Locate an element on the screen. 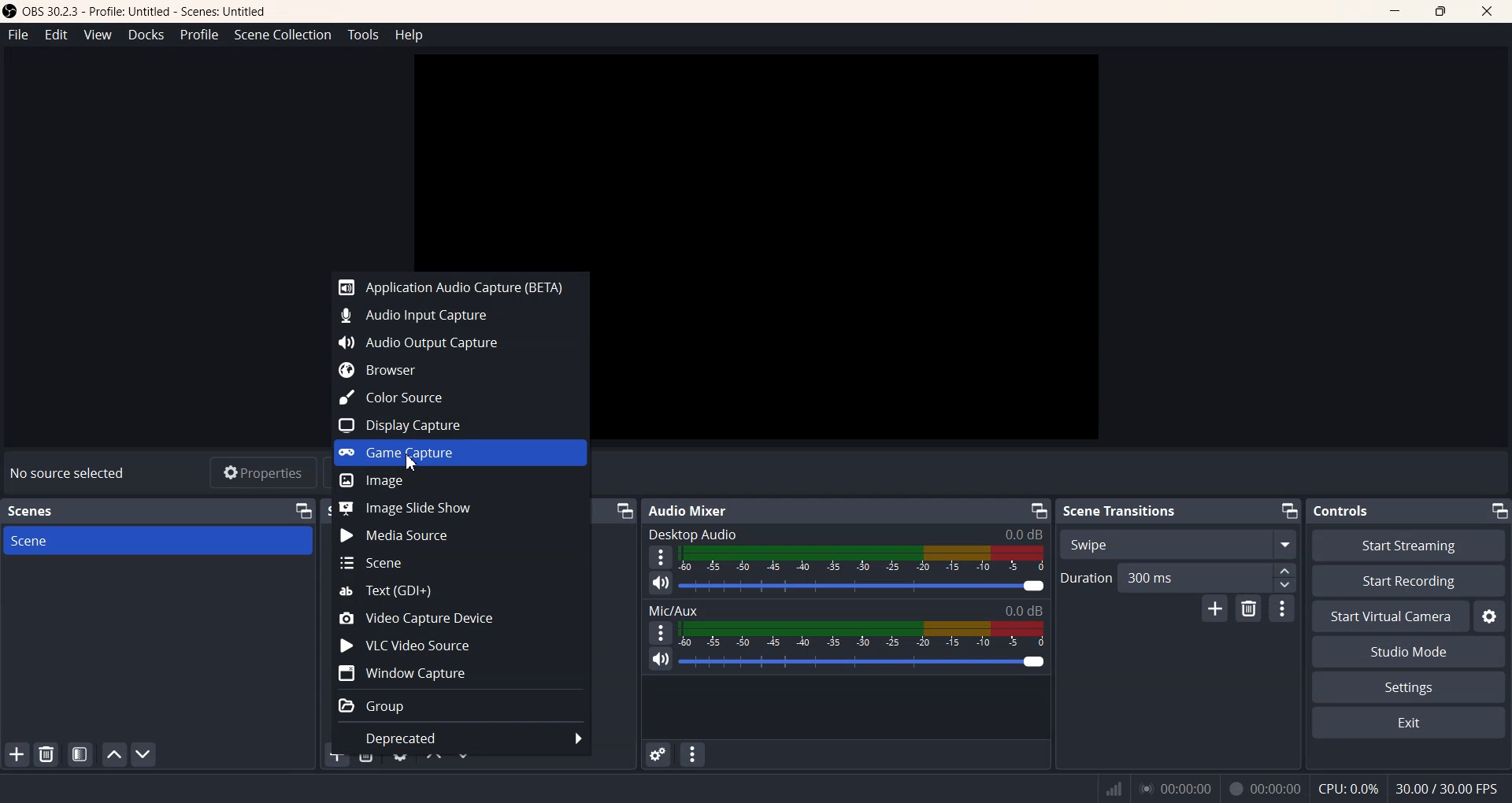 This screenshot has height=803, width=1512. Text is located at coordinates (459, 591).